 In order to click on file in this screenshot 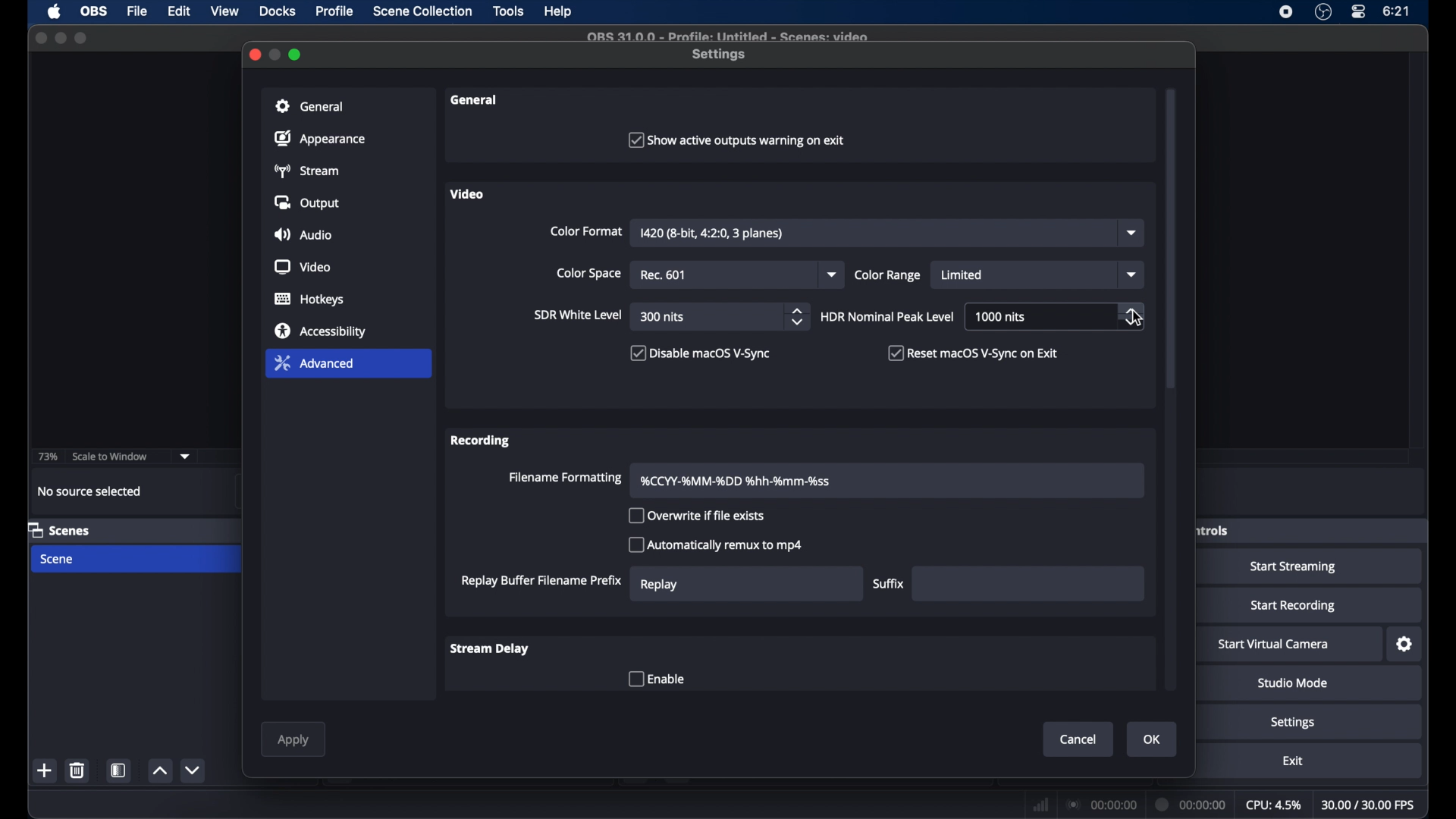, I will do `click(137, 11)`.